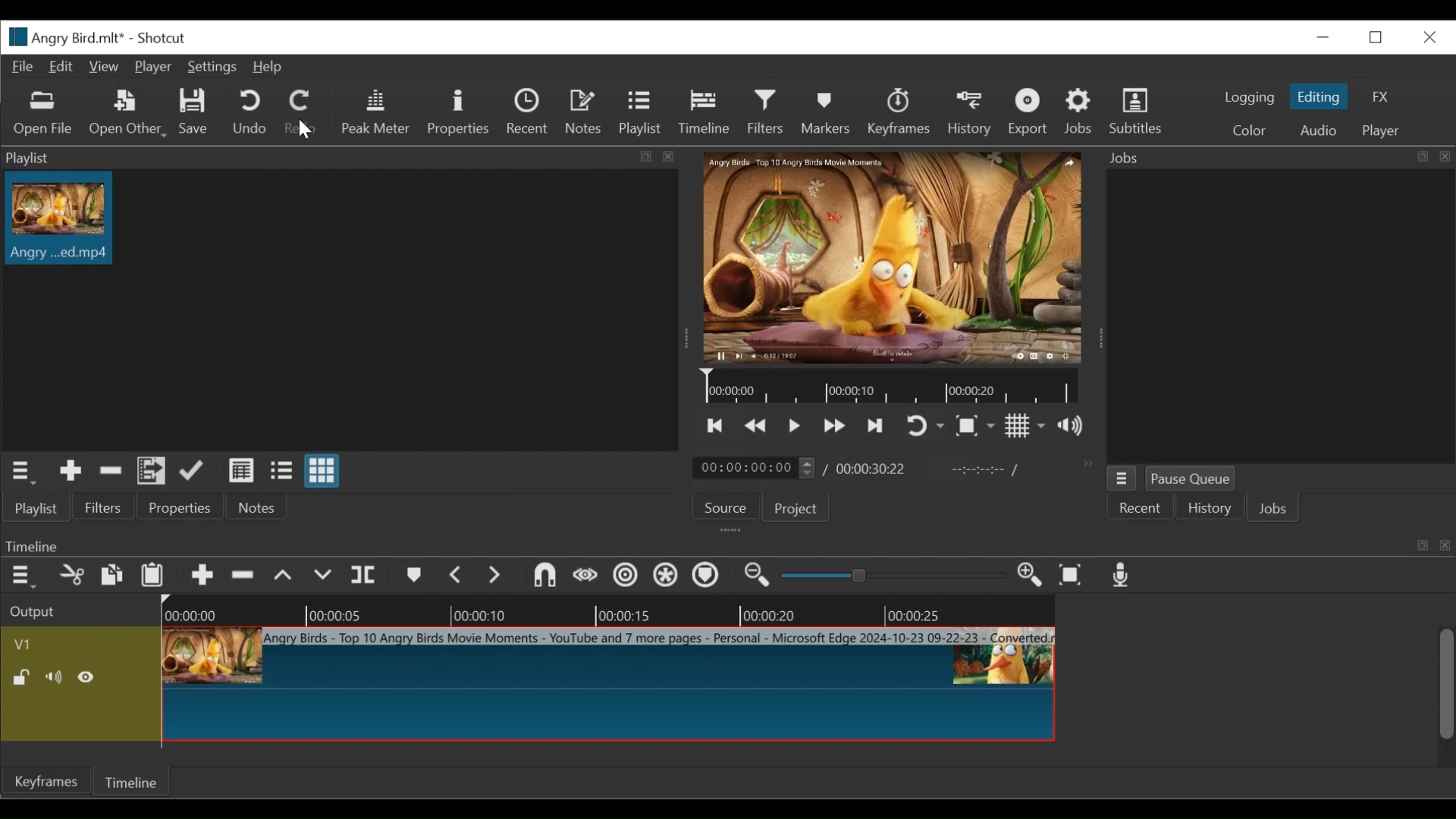 This screenshot has height=819, width=1456. Describe the element at coordinates (60, 36) in the screenshot. I see `File Name` at that location.